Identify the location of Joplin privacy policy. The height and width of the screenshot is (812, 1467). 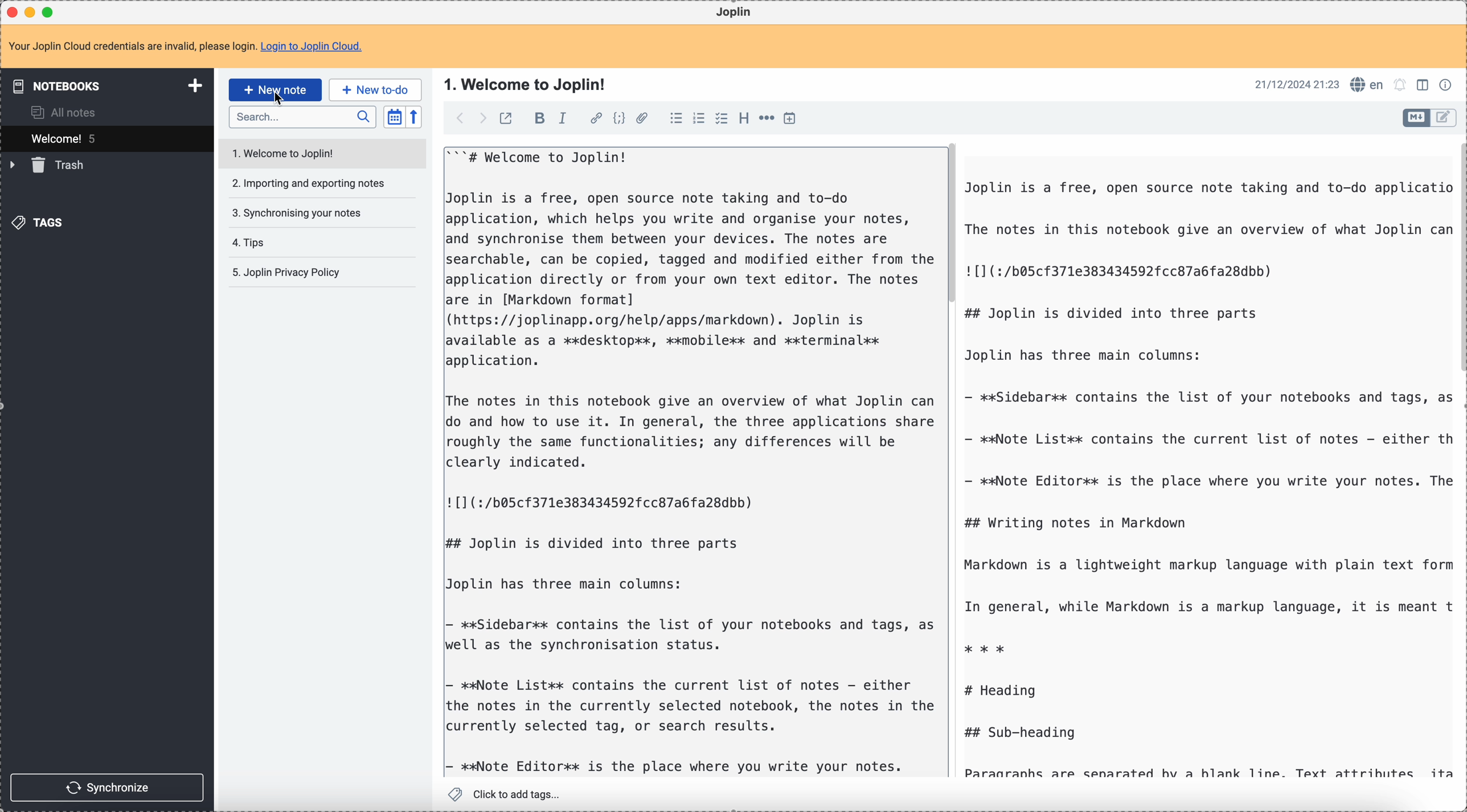
(284, 272).